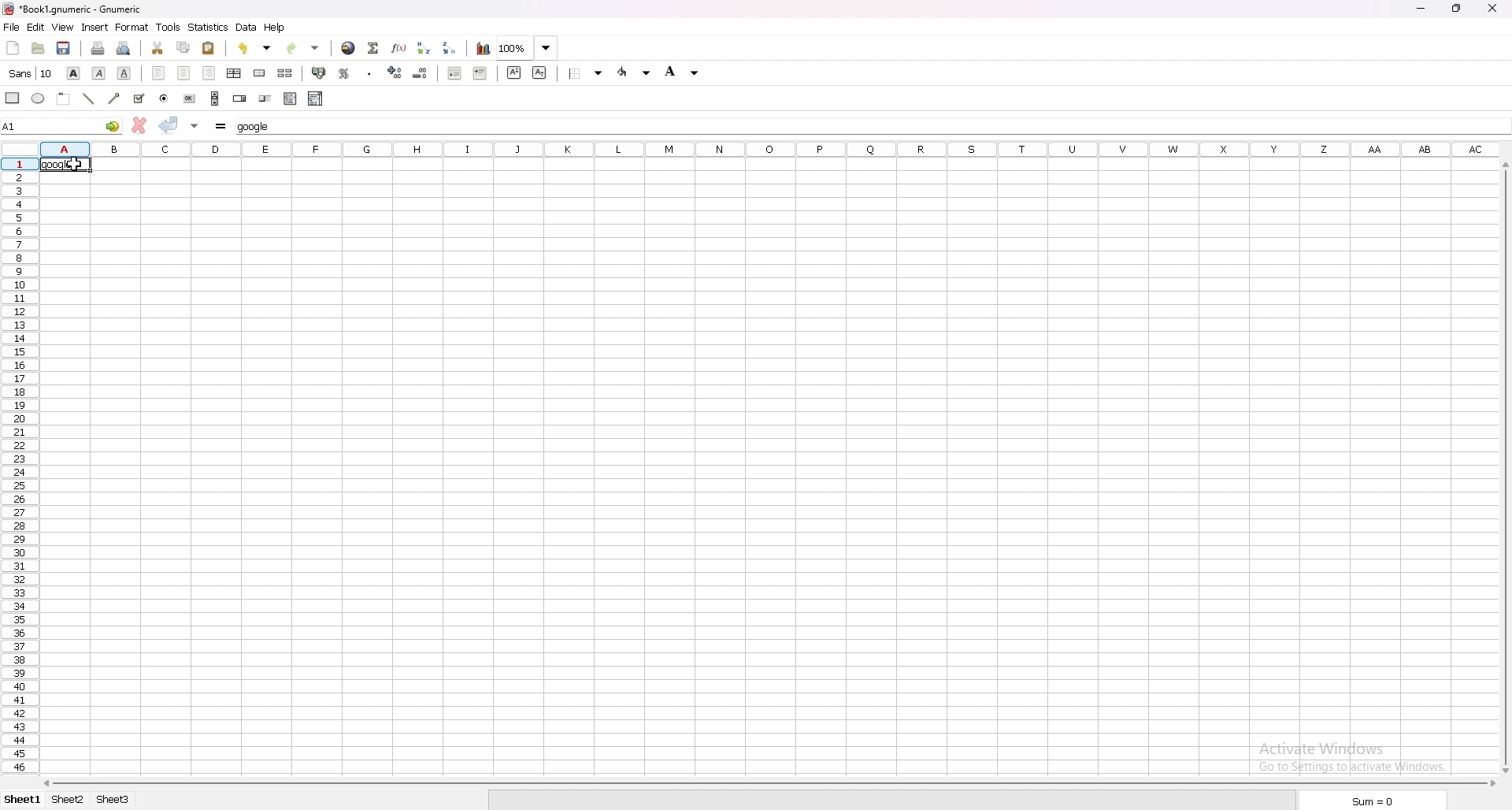  Describe the element at coordinates (265, 98) in the screenshot. I see `slider` at that location.